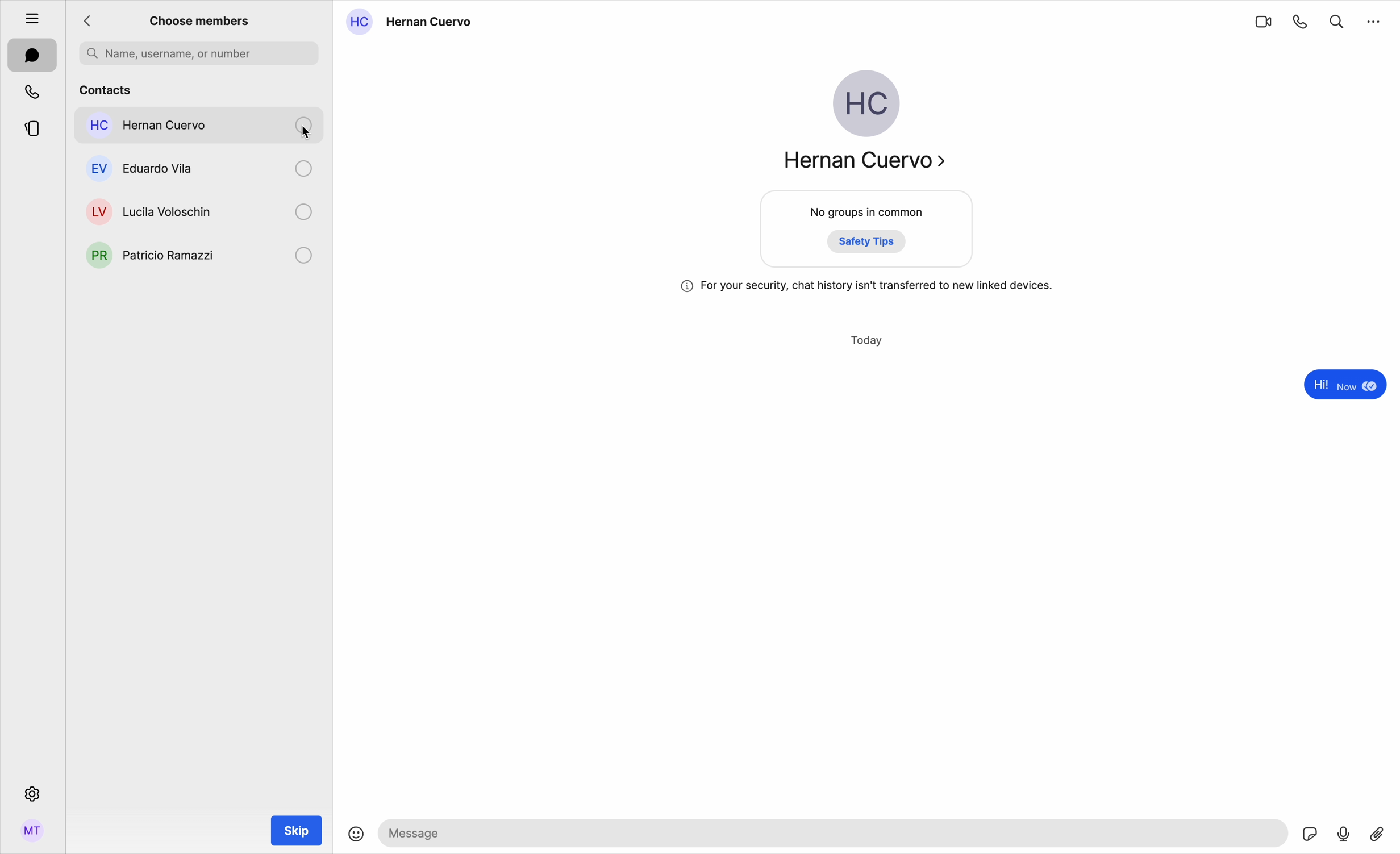 The image size is (1400, 854). I want to click on Hernan Cuervo contact, so click(414, 22).